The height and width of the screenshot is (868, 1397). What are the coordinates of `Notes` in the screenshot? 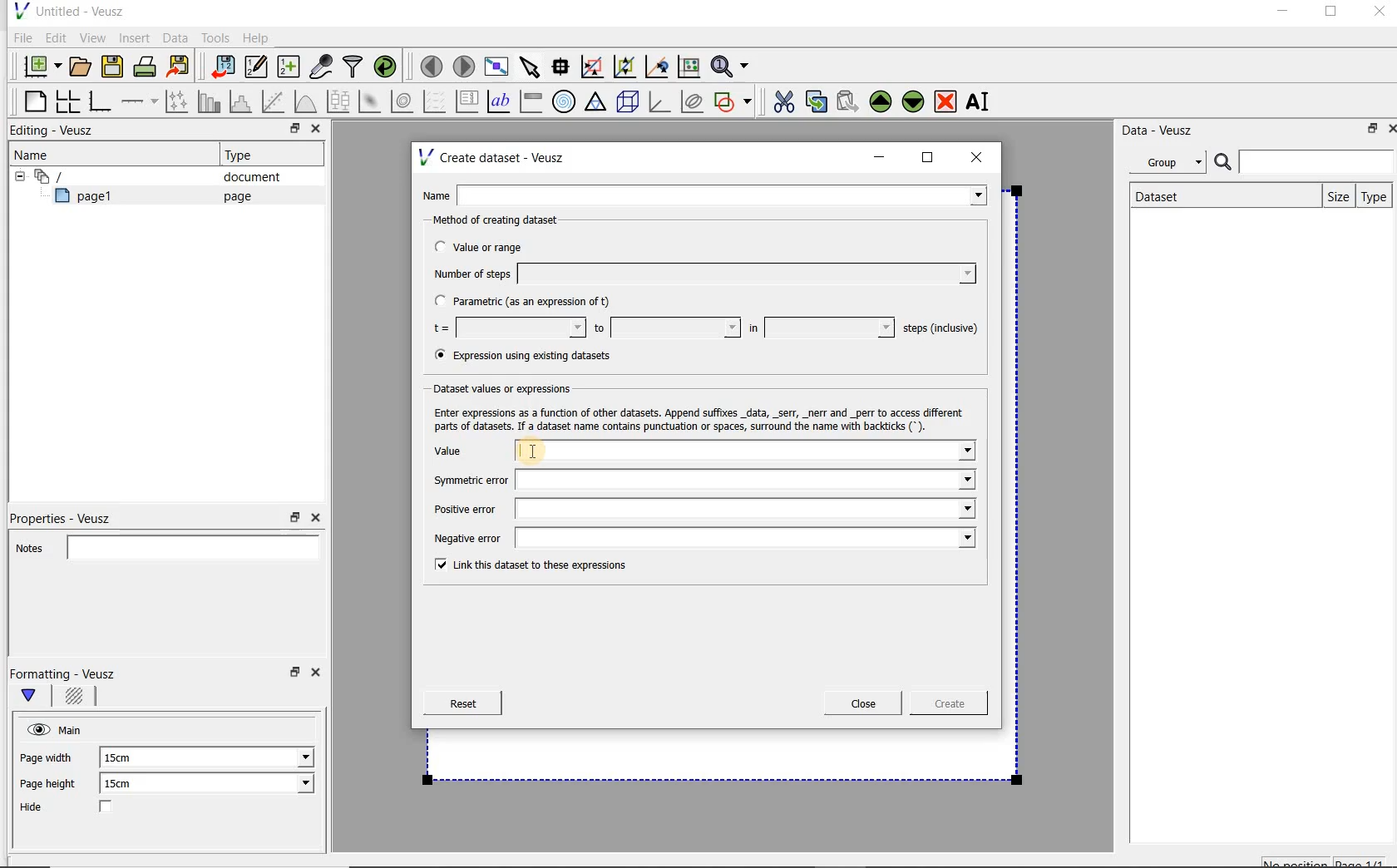 It's located at (162, 545).